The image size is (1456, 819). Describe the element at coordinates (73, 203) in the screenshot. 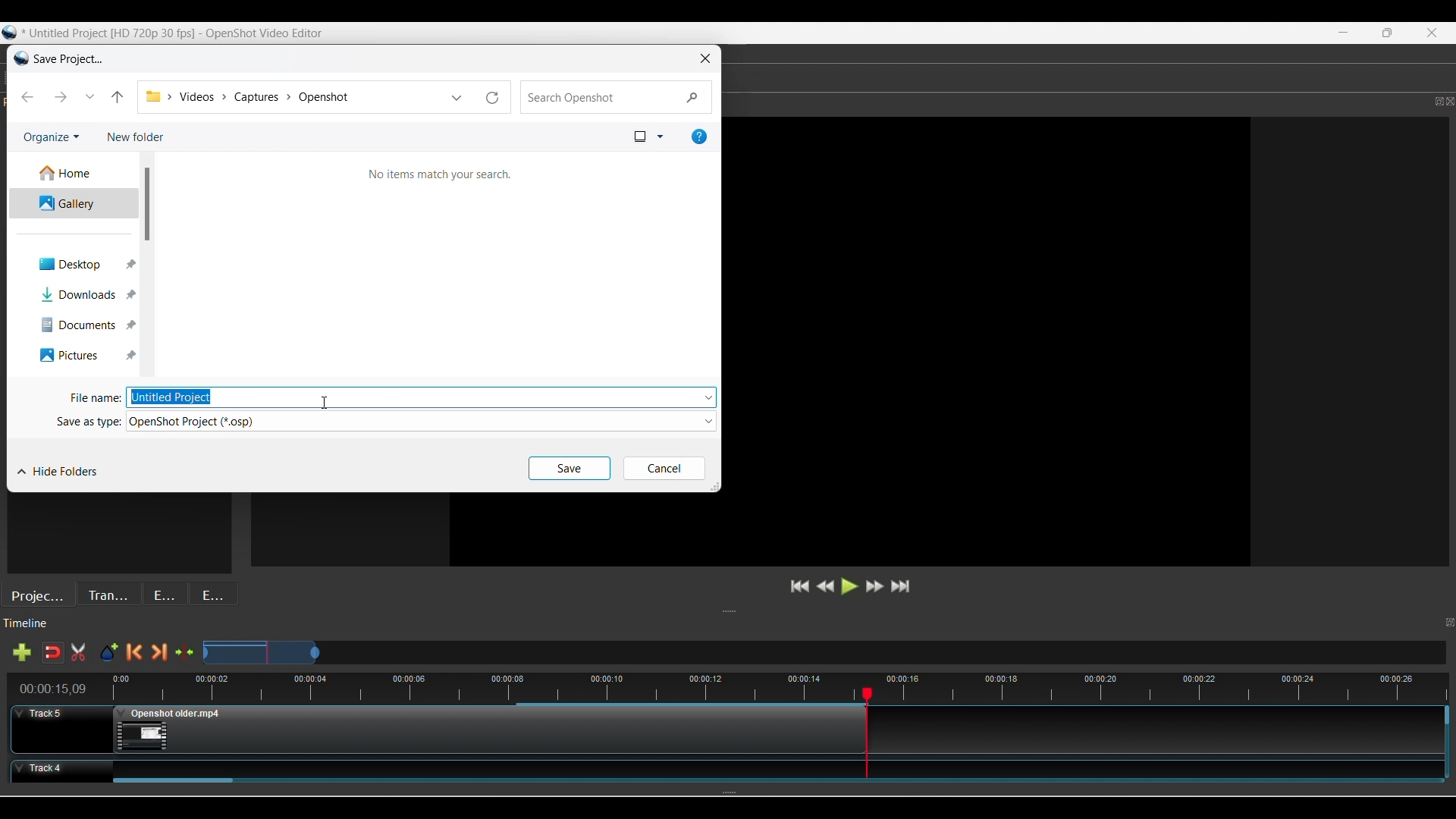

I see `Gallery/Current folder` at that location.